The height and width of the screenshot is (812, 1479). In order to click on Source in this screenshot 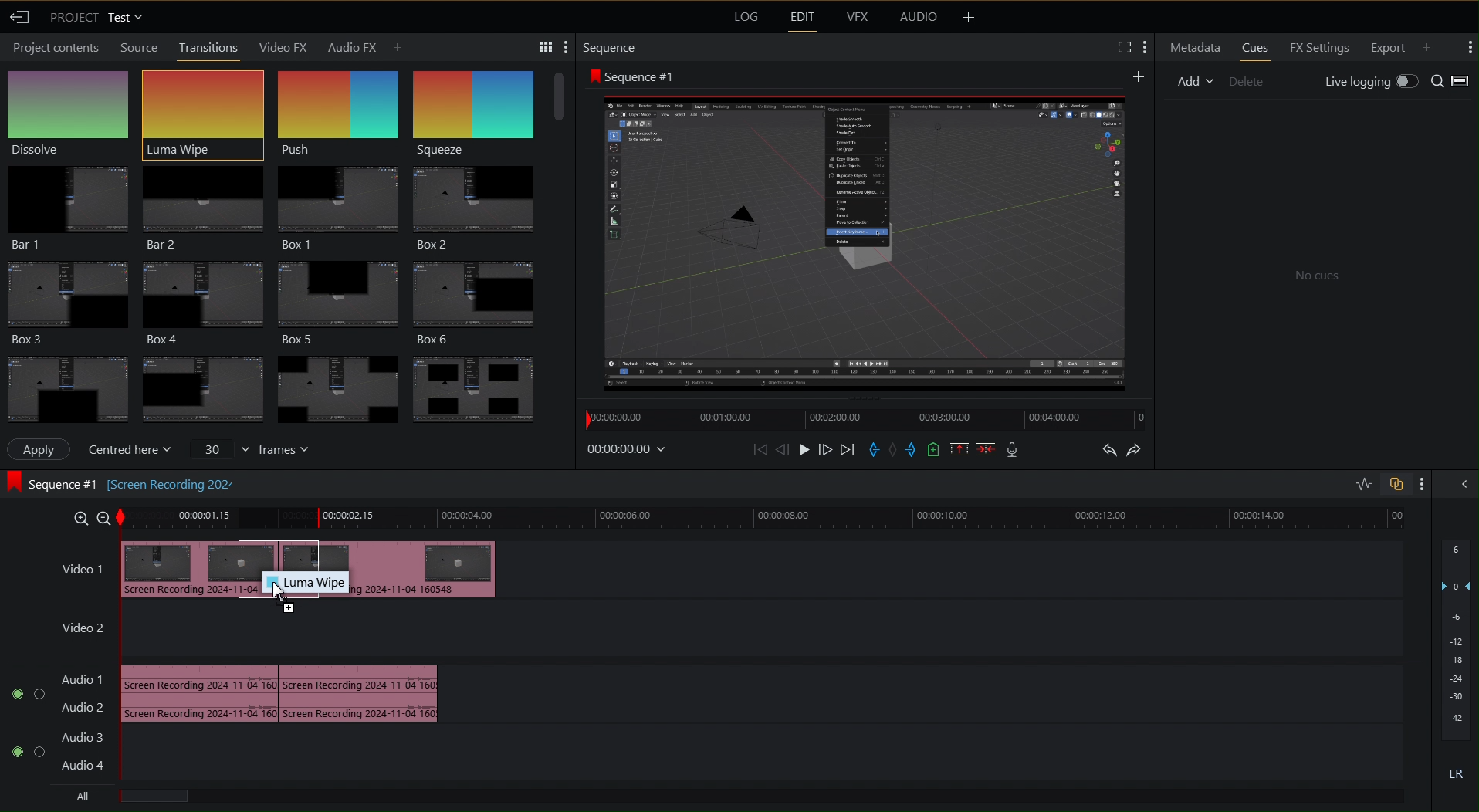, I will do `click(136, 47)`.